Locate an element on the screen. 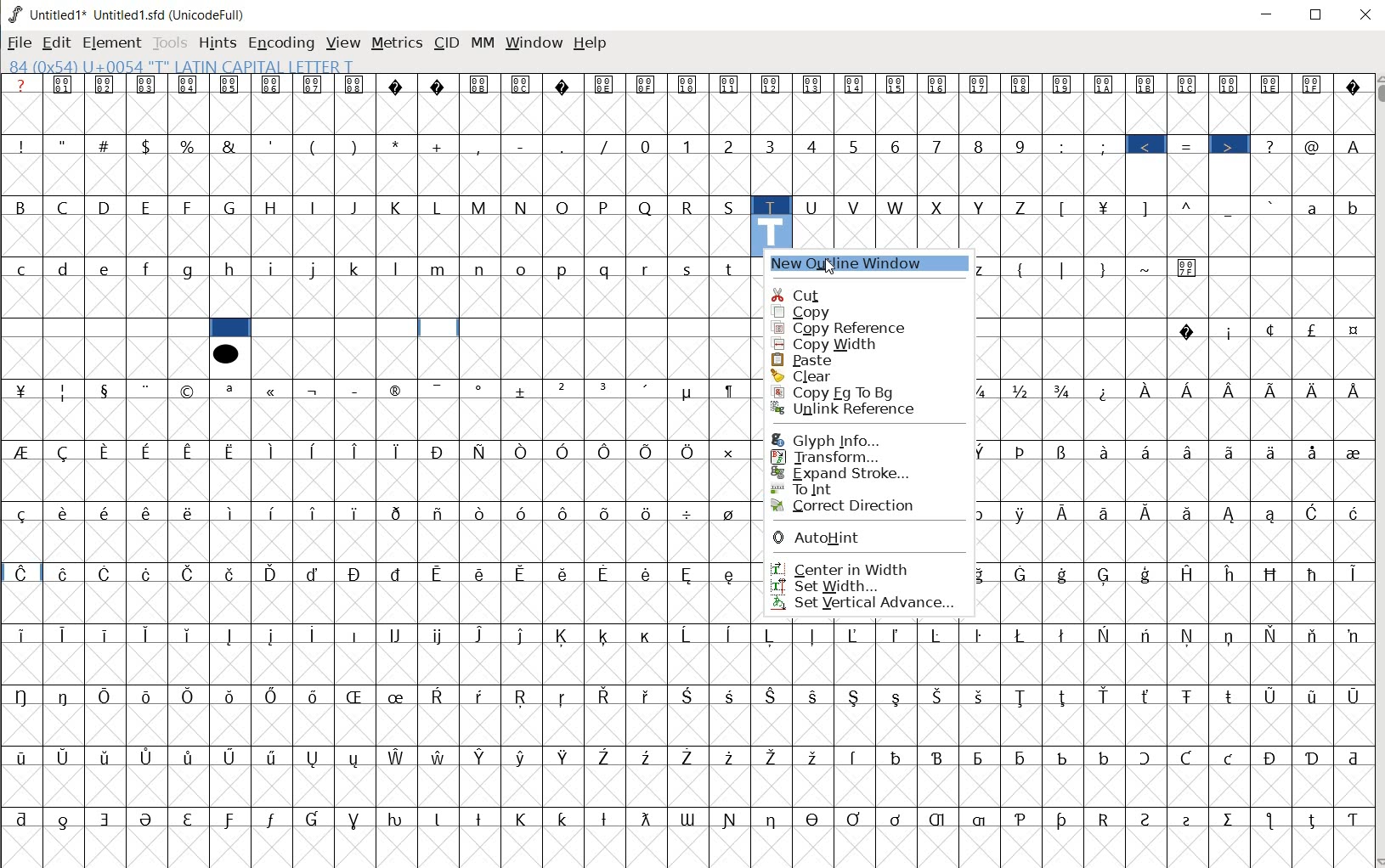 The width and height of the screenshot is (1385, 868). Symbol is located at coordinates (230, 84).